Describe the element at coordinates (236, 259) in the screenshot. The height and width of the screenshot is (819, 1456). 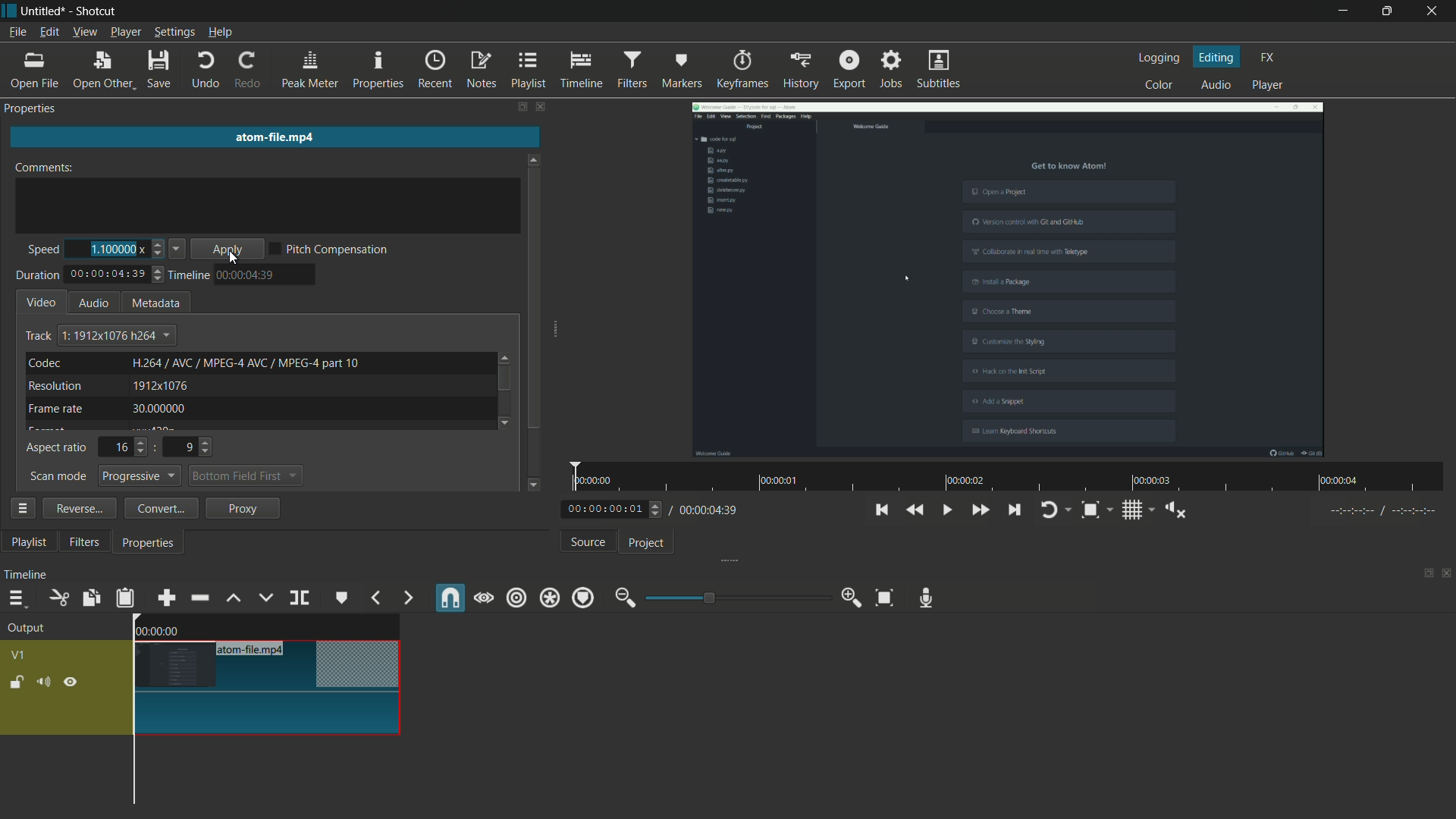
I see `cursor` at that location.